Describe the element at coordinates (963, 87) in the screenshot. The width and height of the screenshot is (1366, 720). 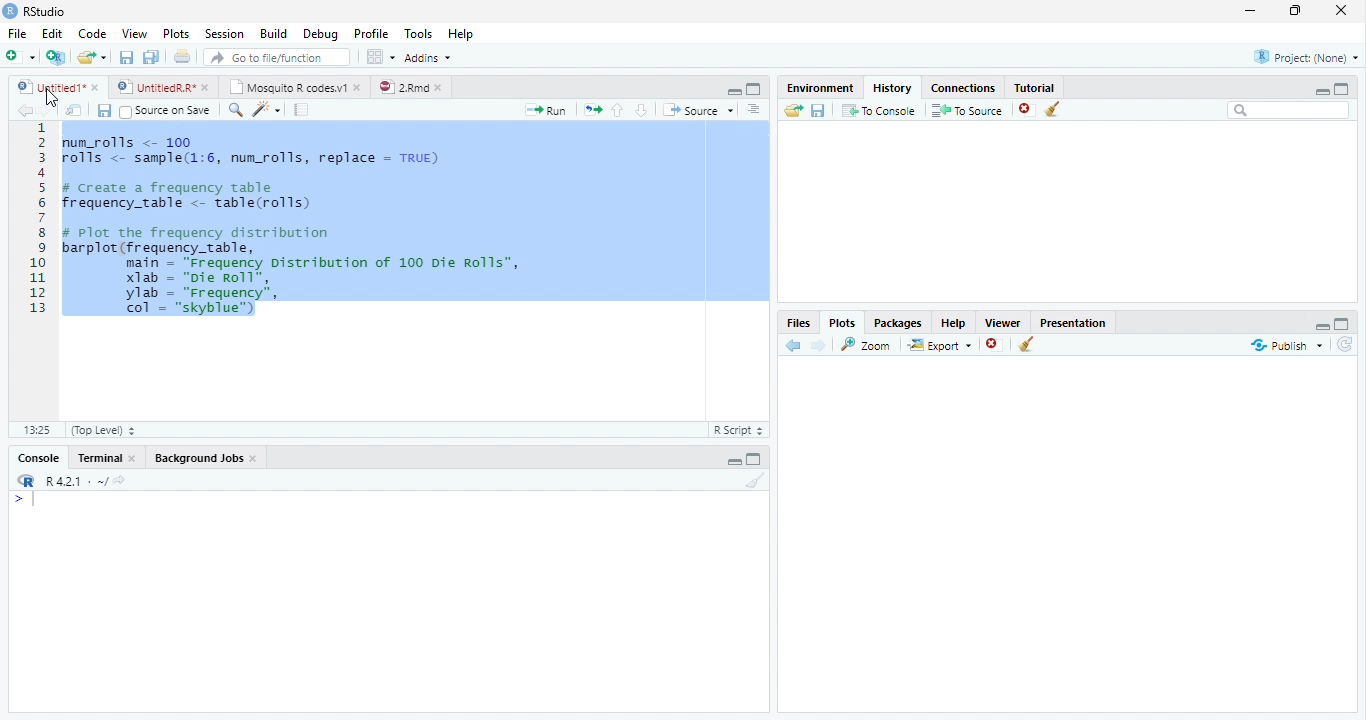
I see `Connections.` at that location.